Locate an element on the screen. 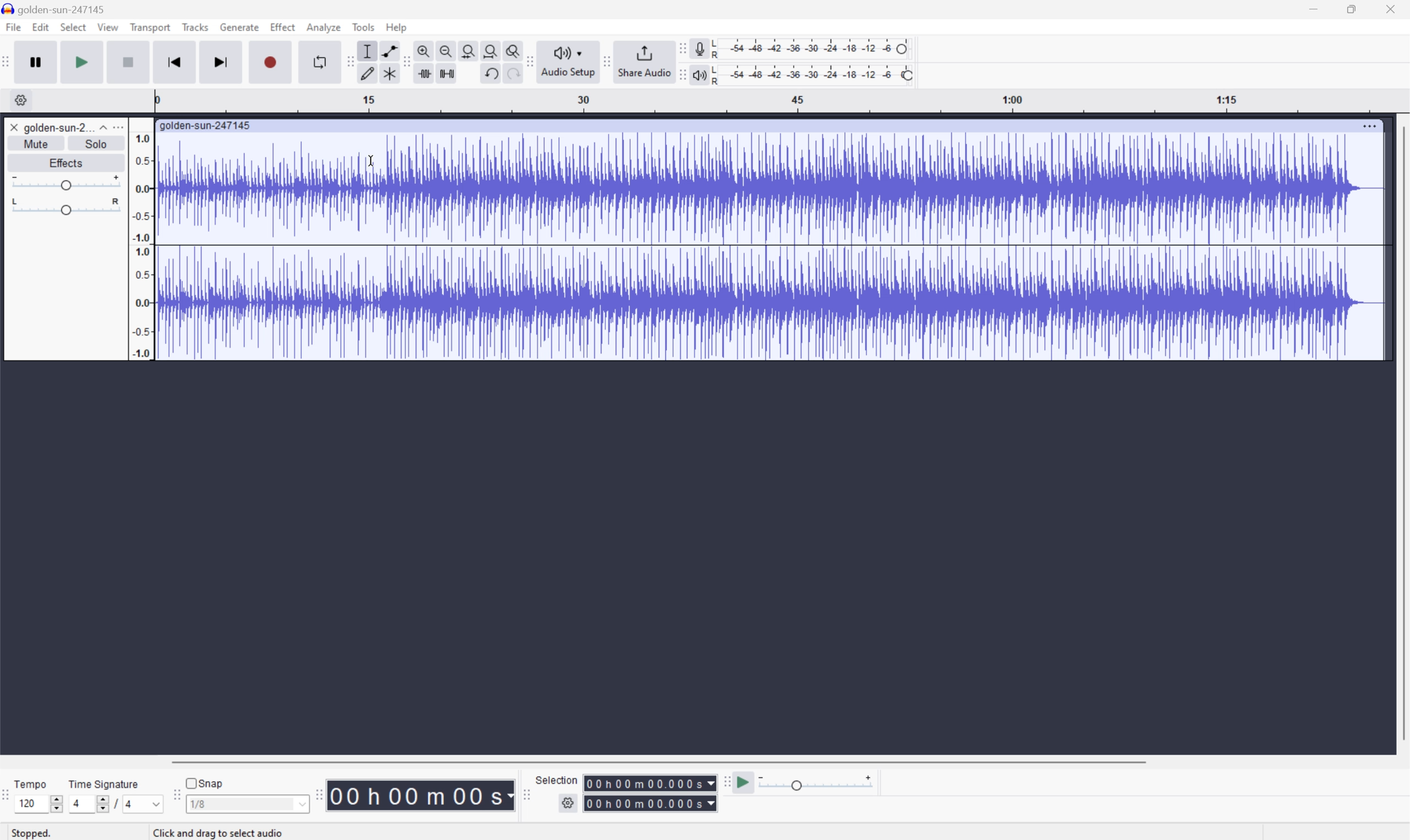  Audacity selection toolbar is located at coordinates (526, 798).